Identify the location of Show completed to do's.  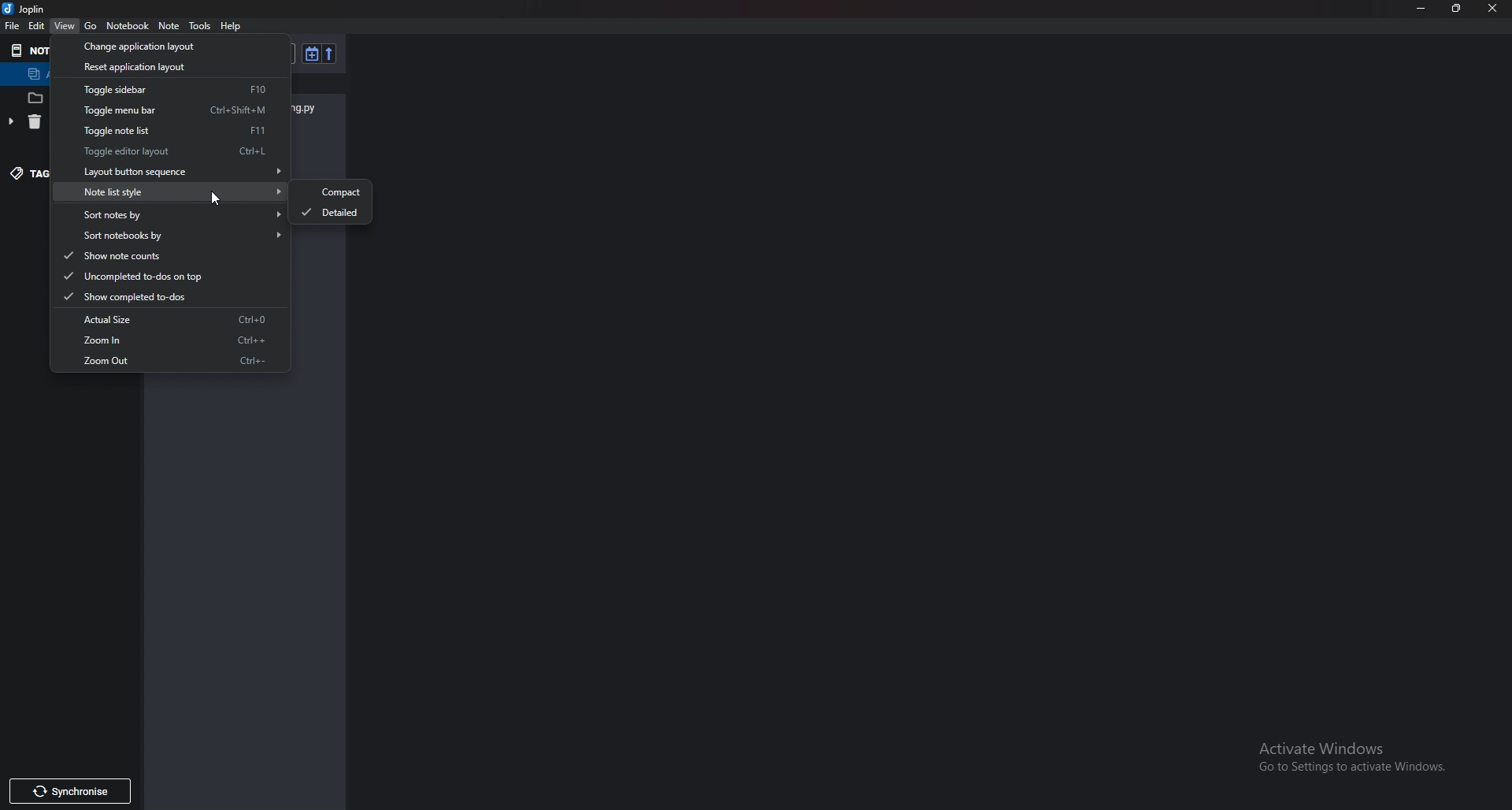
(168, 296).